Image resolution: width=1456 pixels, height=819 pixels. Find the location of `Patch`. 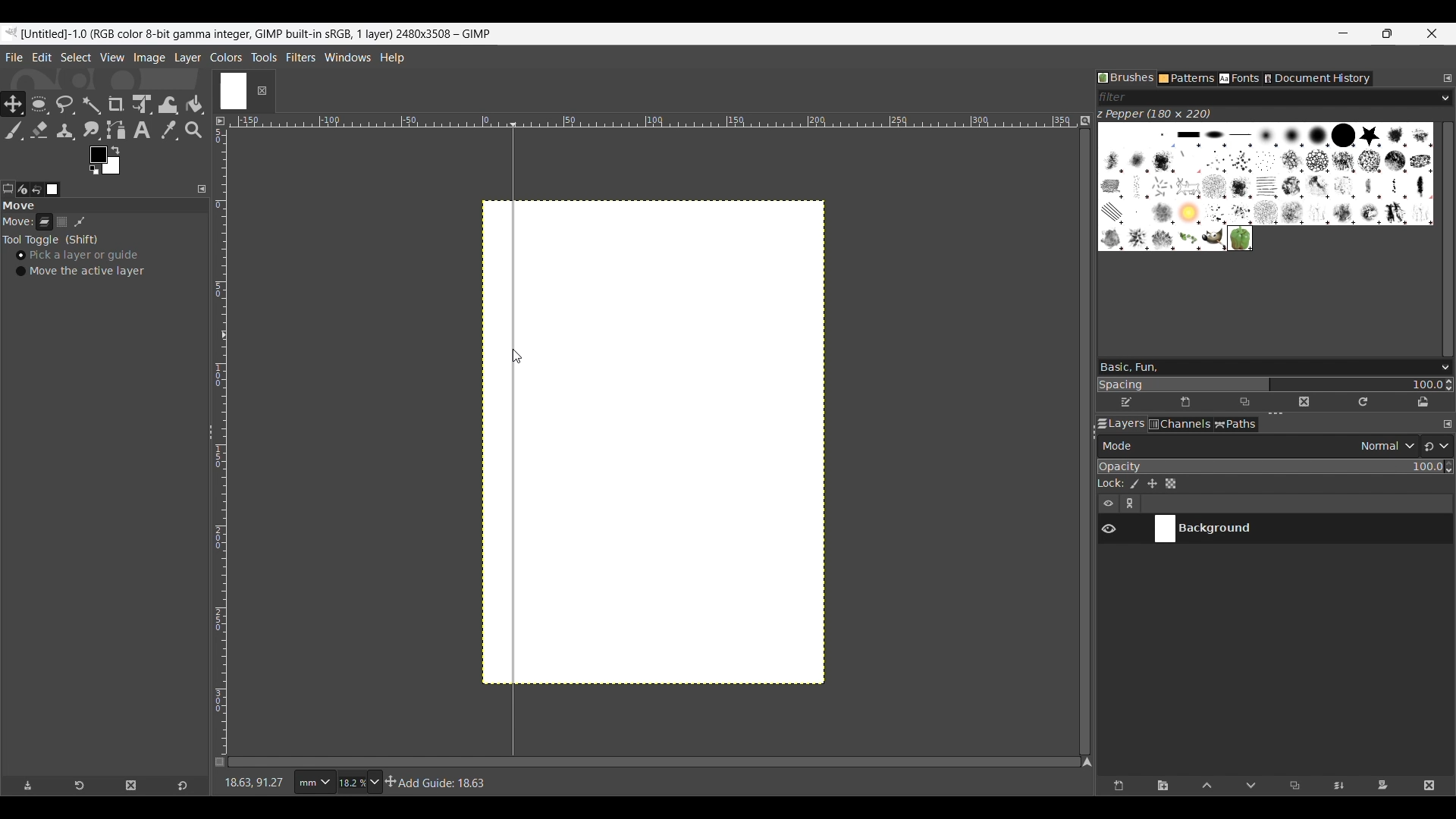

Patch is located at coordinates (85, 222).